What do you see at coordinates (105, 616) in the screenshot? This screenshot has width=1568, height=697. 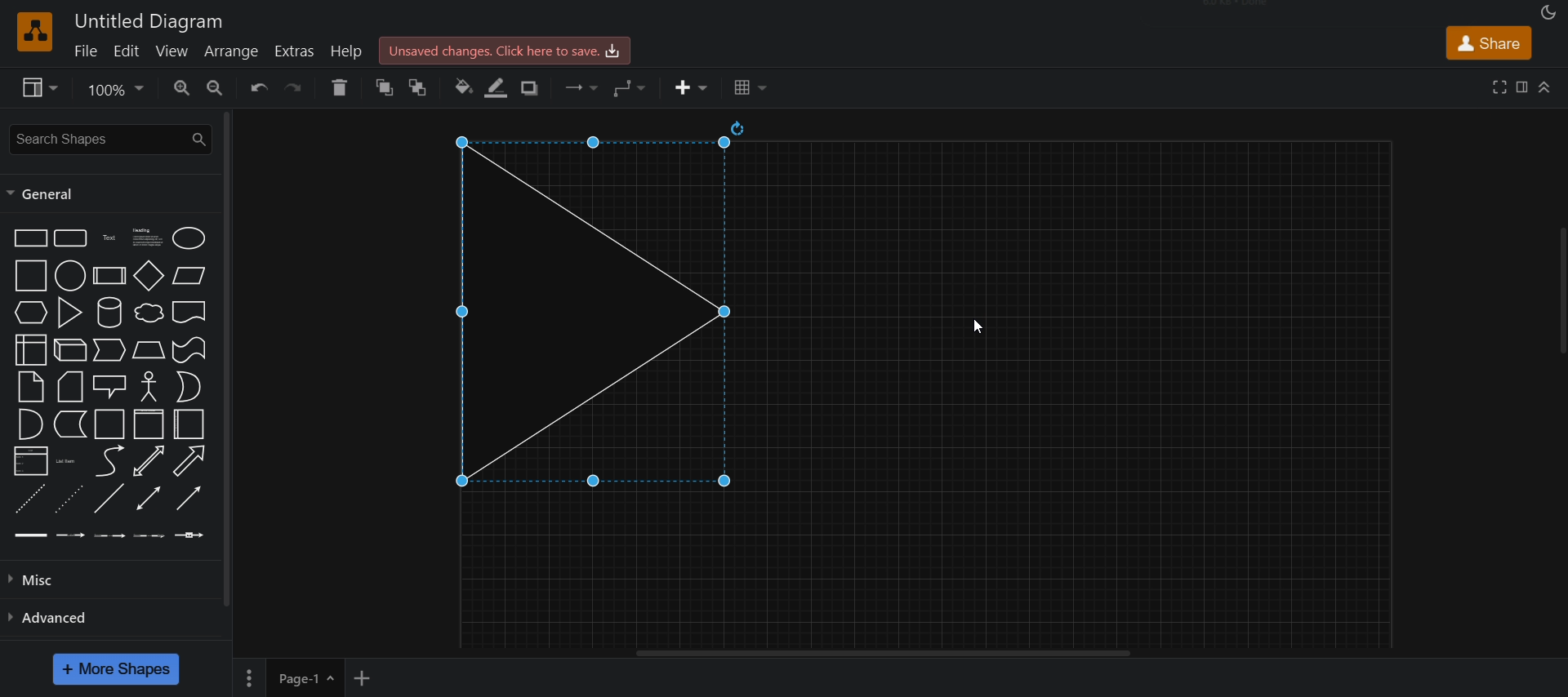 I see `advanced` at bounding box center [105, 616].